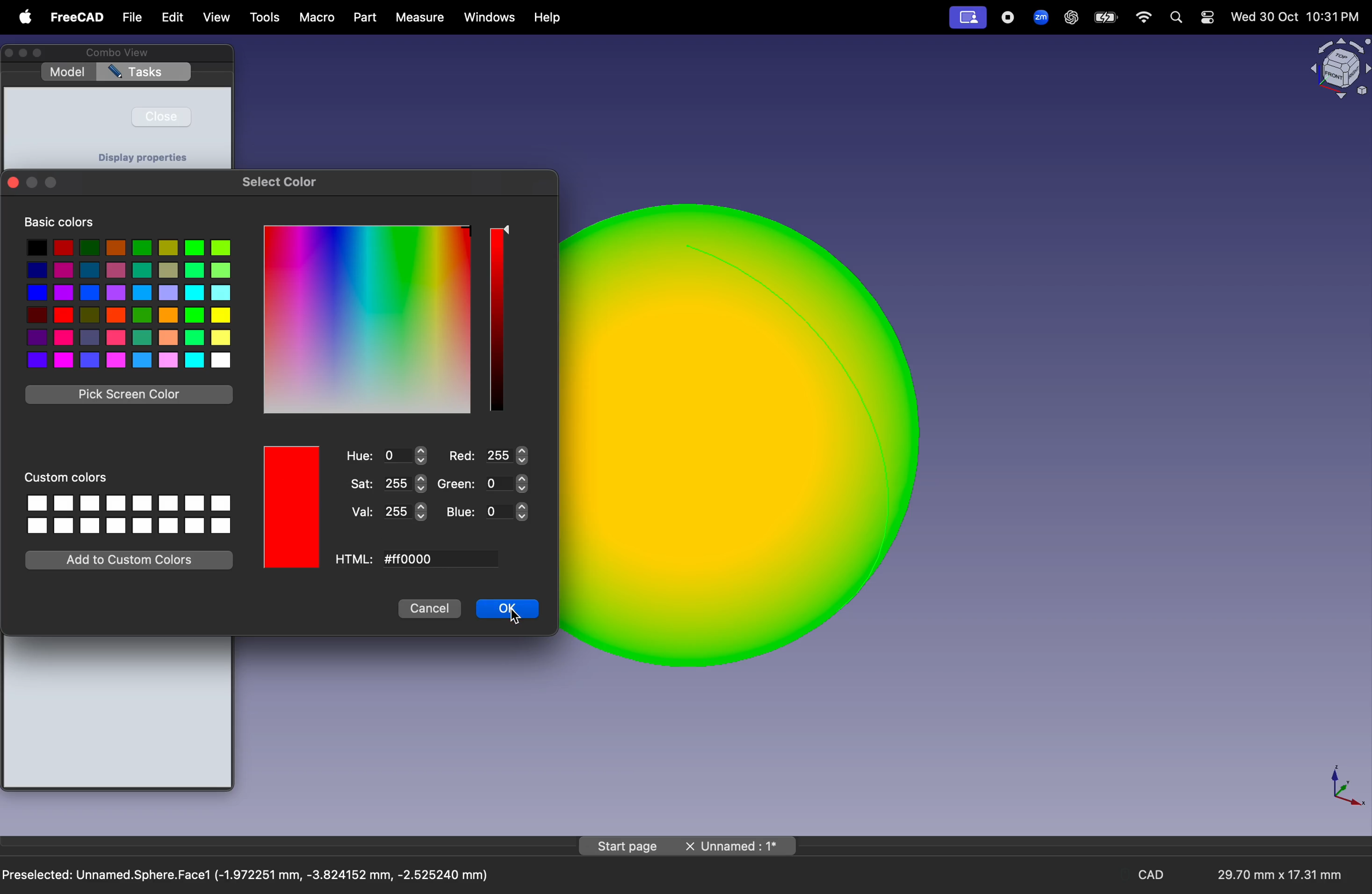 Image resolution: width=1372 pixels, height=894 pixels. Describe the element at coordinates (1270, 876) in the screenshot. I see `29.70 mm x 17.31 mm` at that location.